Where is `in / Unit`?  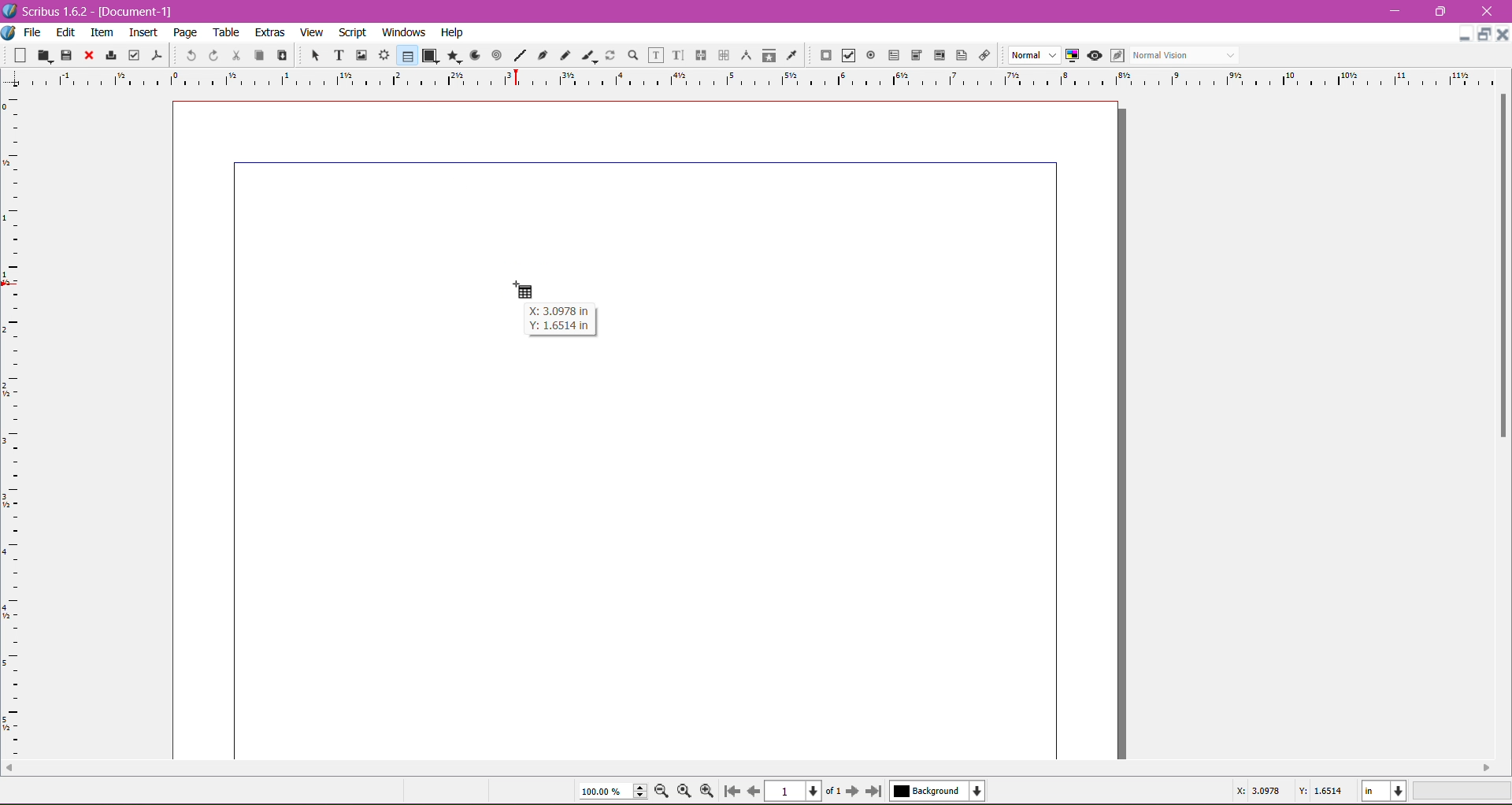
in / Unit is located at coordinates (1381, 792).